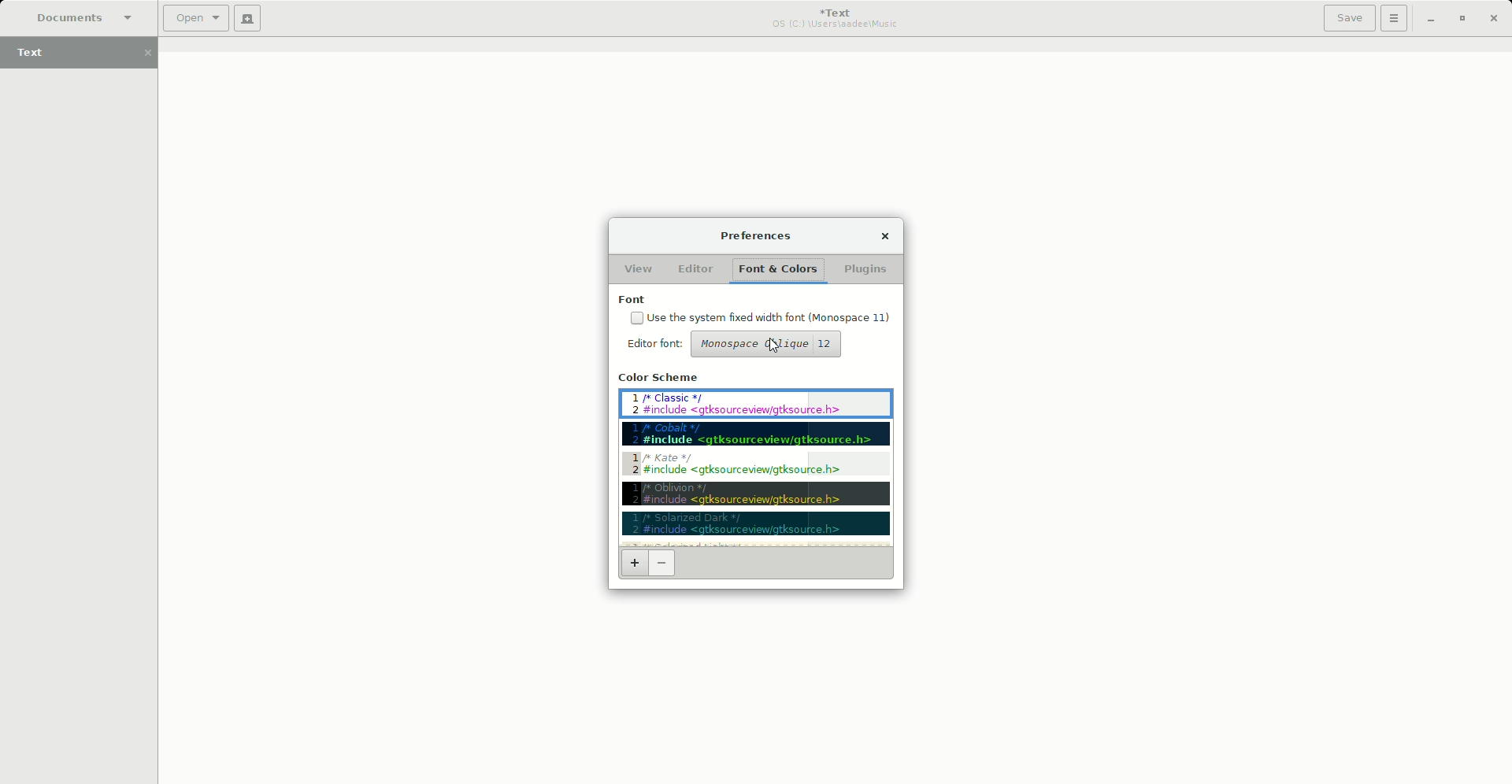 The height and width of the screenshot is (784, 1512). Describe the element at coordinates (659, 379) in the screenshot. I see `Color scheme` at that location.